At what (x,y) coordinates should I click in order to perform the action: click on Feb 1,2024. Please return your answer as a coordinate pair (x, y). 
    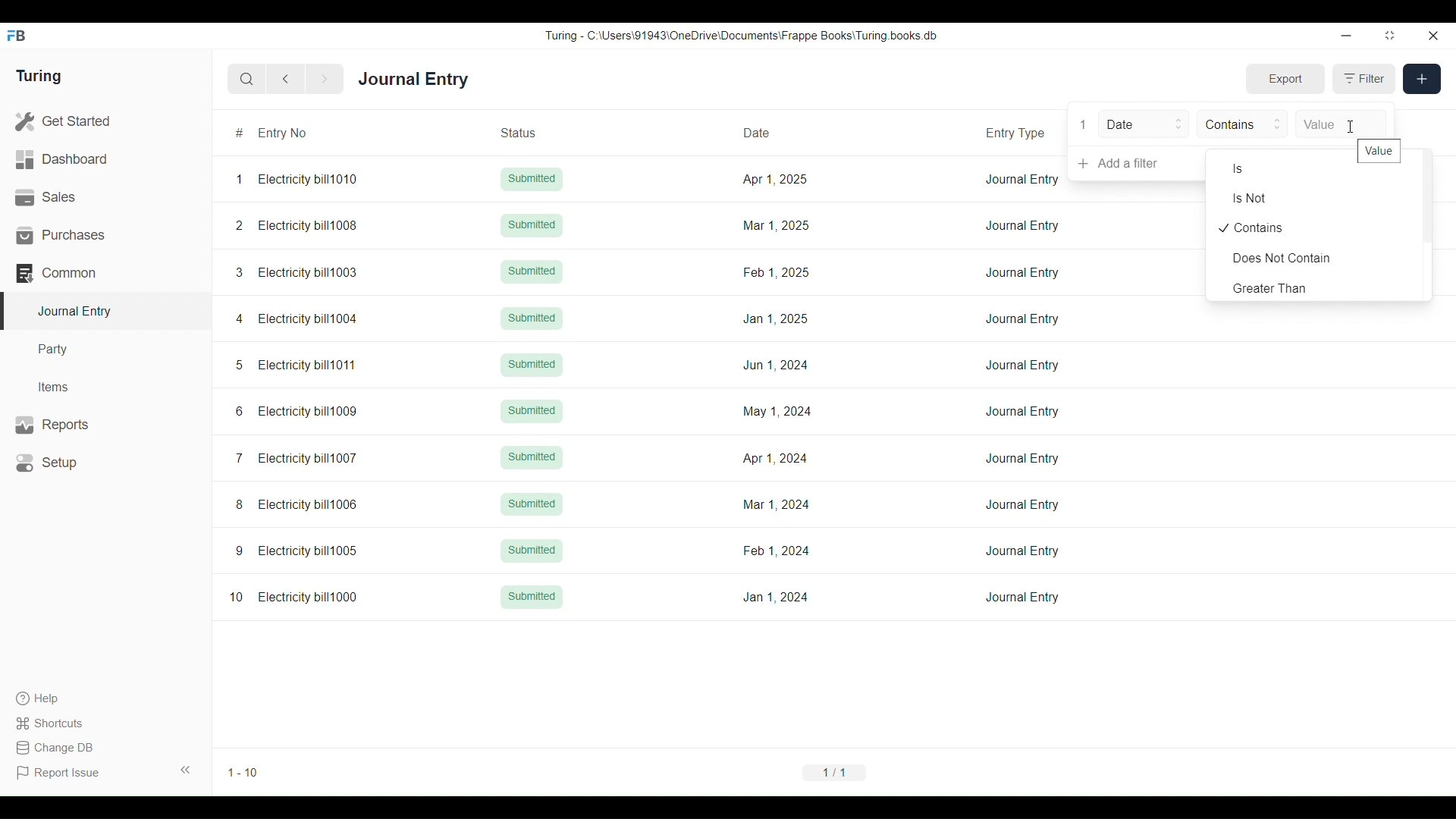
    Looking at the image, I should click on (776, 551).